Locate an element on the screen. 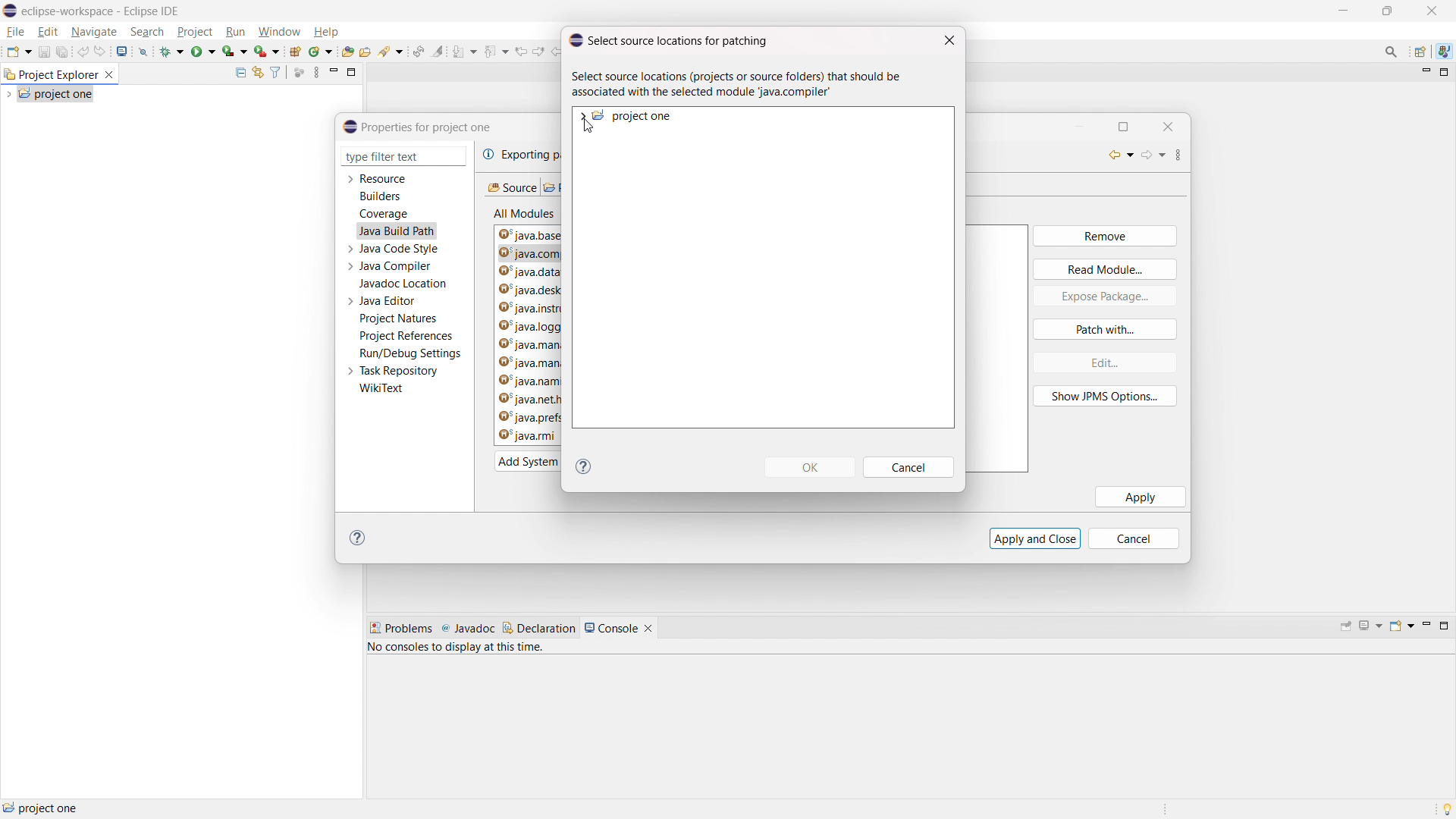 The height and width of the screenshot is (819, 1456). javadoc location is located at coordinates (404, 284).